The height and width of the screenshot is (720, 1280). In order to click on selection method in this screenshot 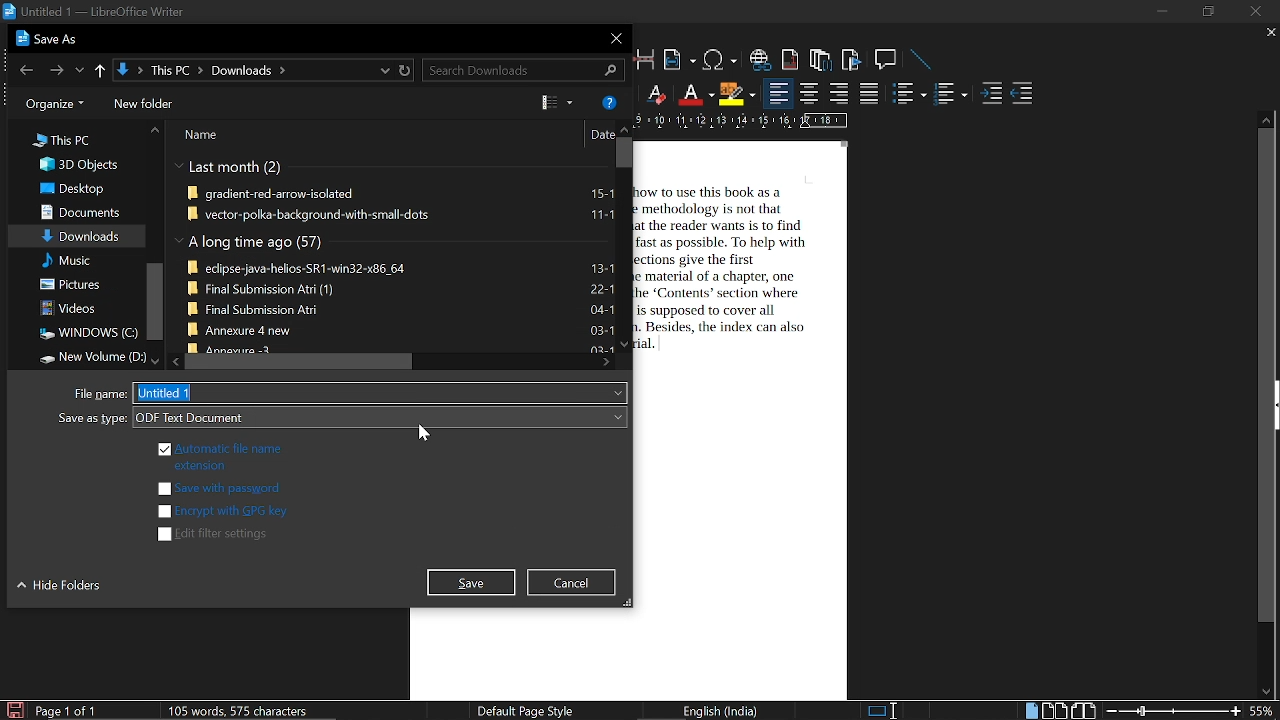, I will do `click(881, 711)`.